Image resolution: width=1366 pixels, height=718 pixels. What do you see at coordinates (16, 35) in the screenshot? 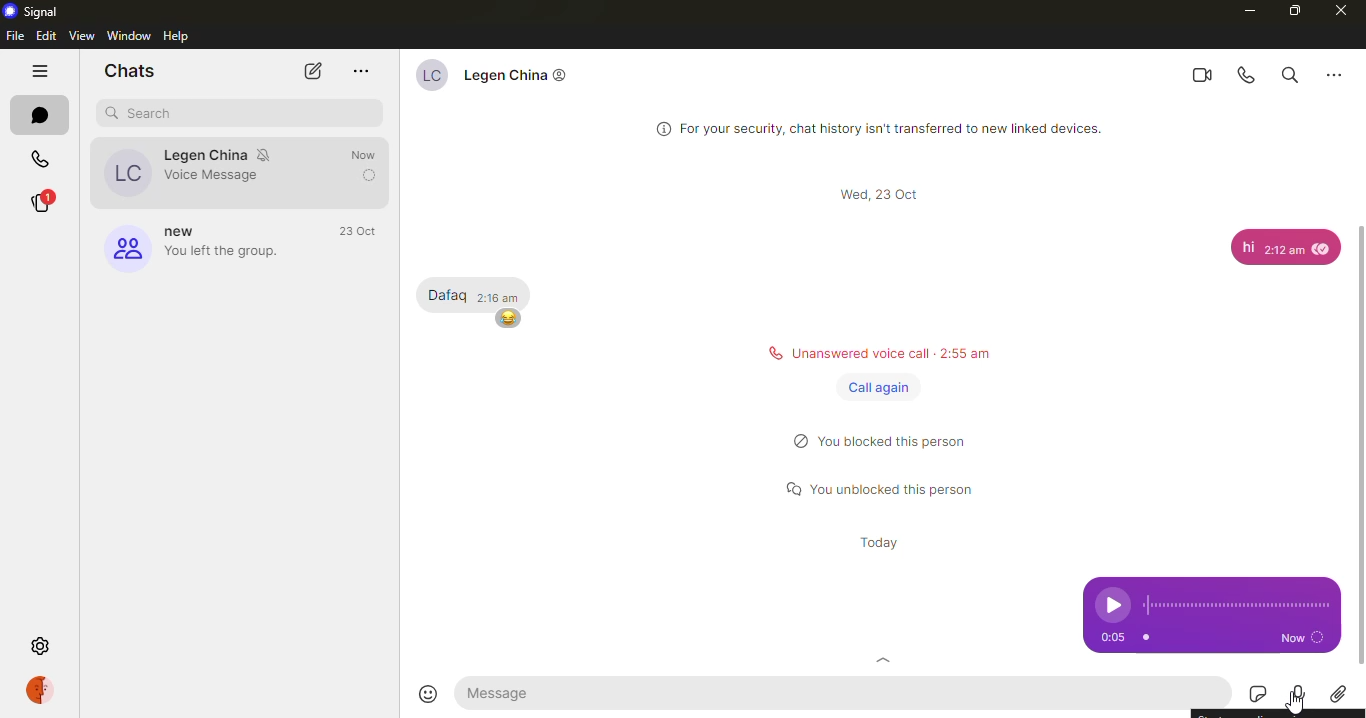
I see `file` at bounding box center [16, 35].